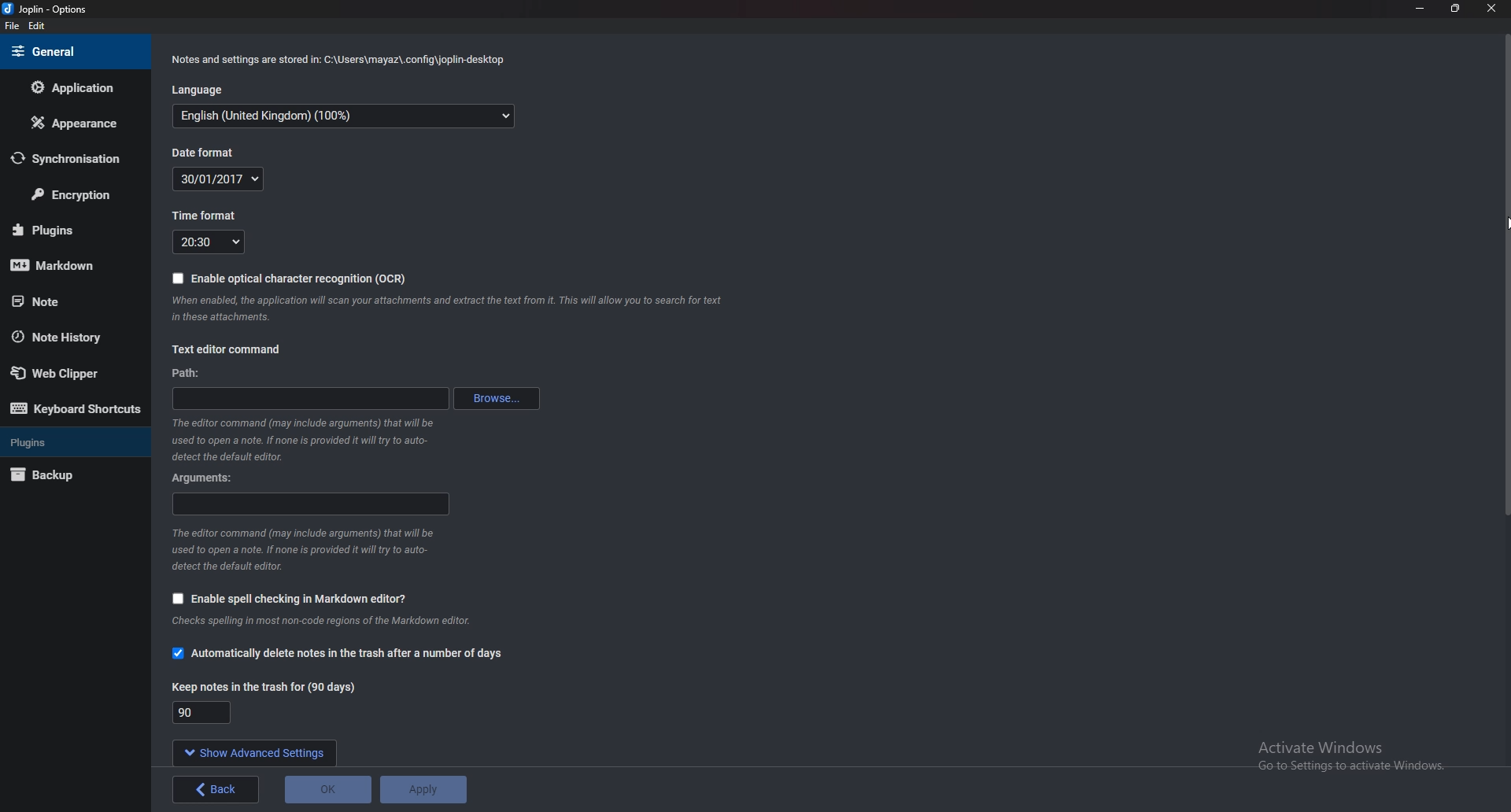 This screenshot has width=1511, height=812. What do you see at coordinates (190, 375) in the screenshot?
I see `path` at bounding box center [190, 375].